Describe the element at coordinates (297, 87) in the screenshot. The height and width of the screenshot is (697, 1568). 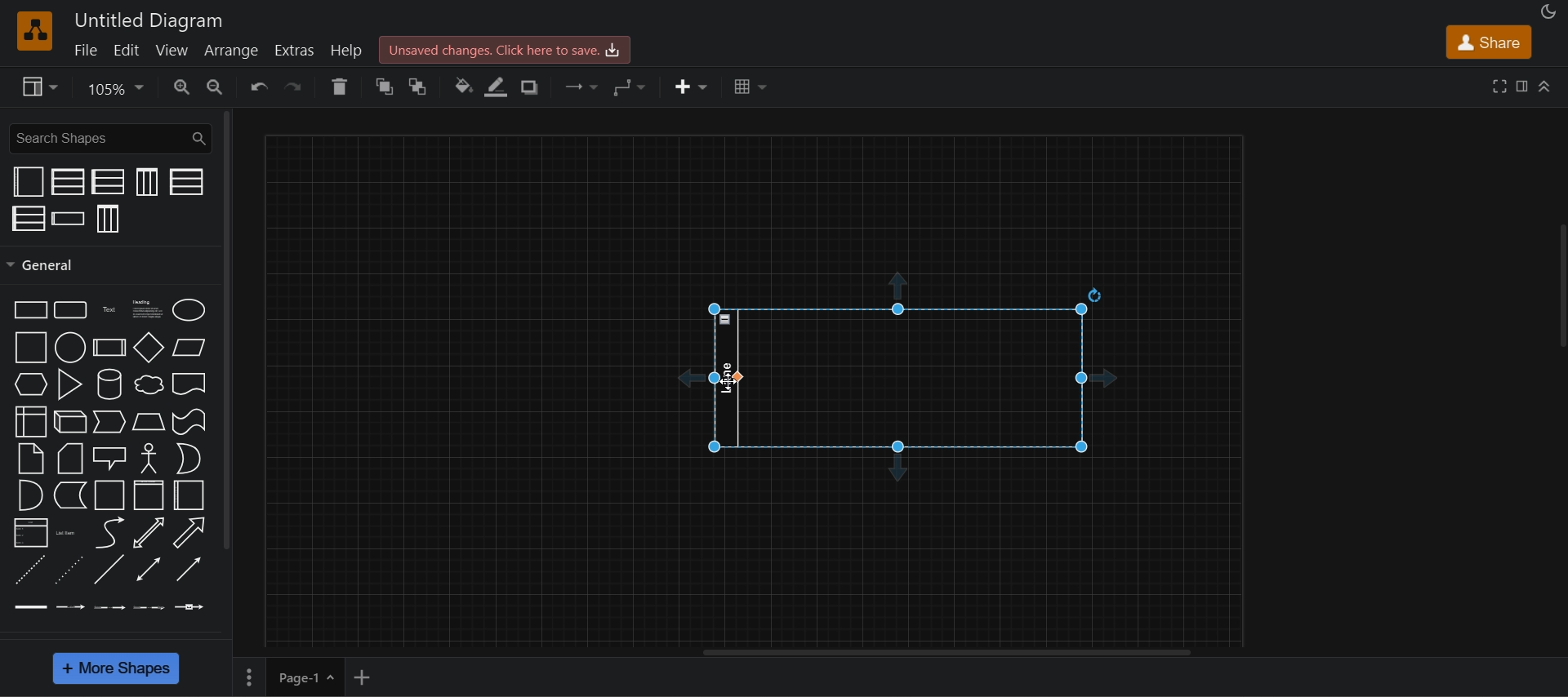
I see `redo` at that location.